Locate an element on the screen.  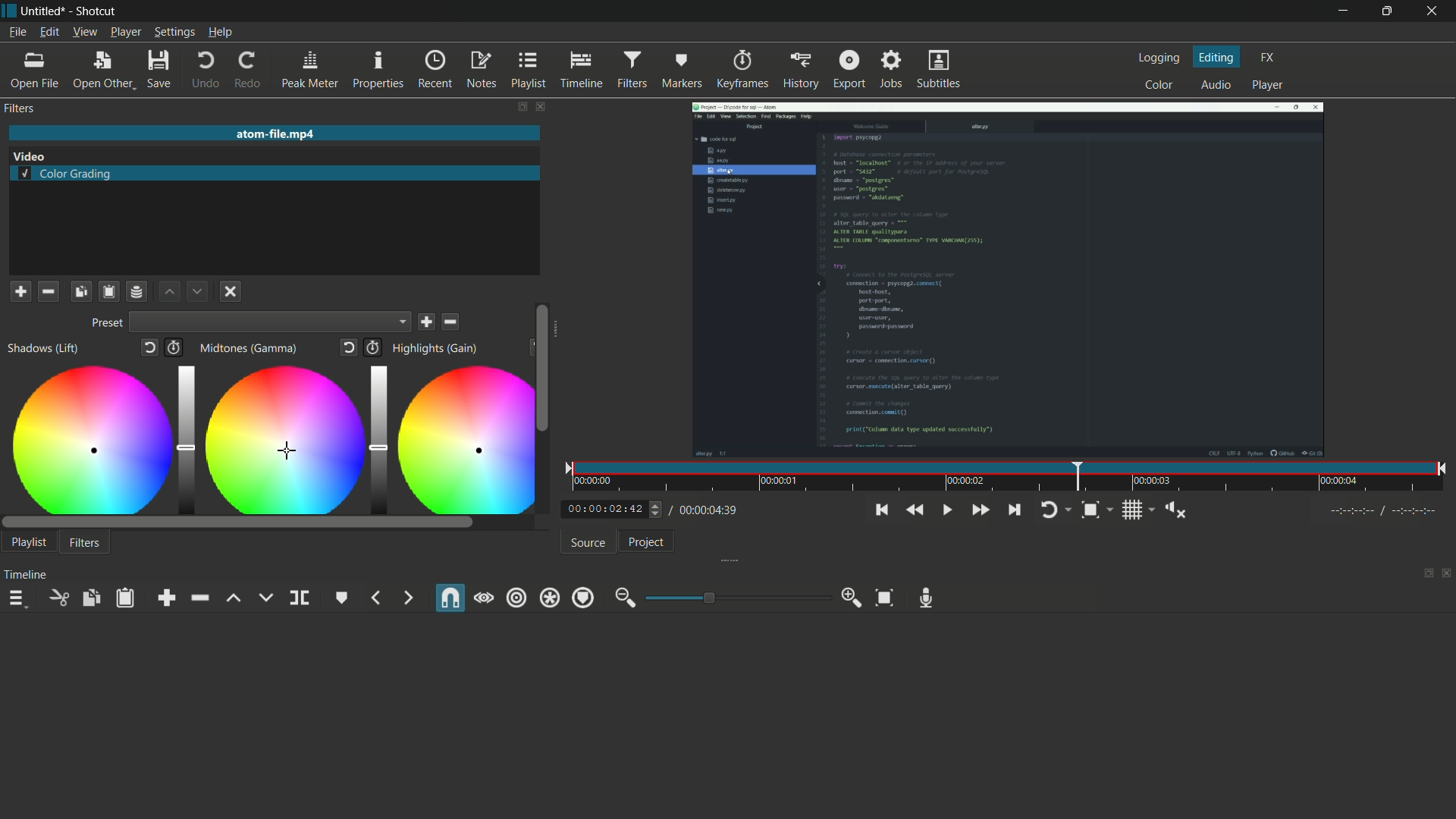
close filter is located at coordinates (538, 106).